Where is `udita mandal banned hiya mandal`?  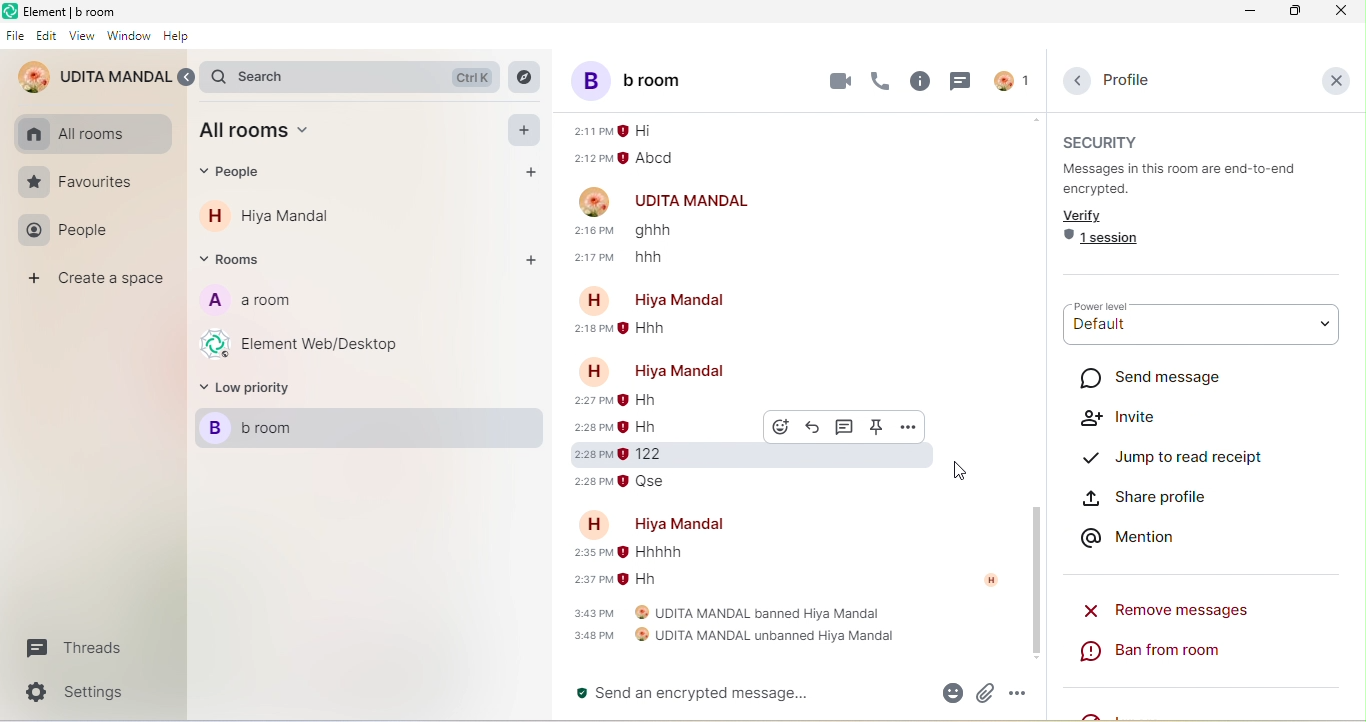 udita mandal banned hiya mandal is located at coordinates (724, 613).